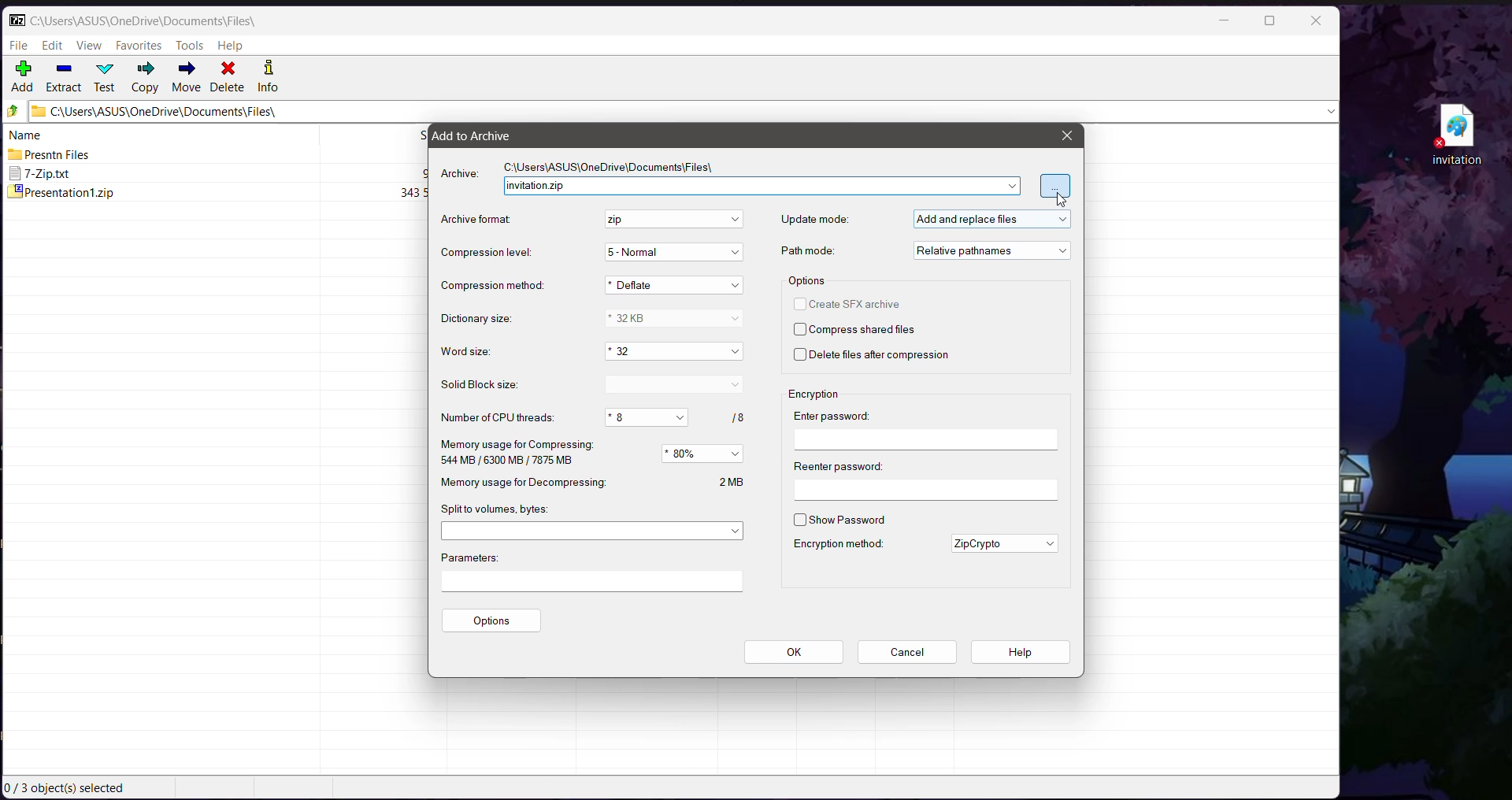 The width and height of the screenshot is (1512, 800). I want to click on Archive File Path, so click(617, 165).